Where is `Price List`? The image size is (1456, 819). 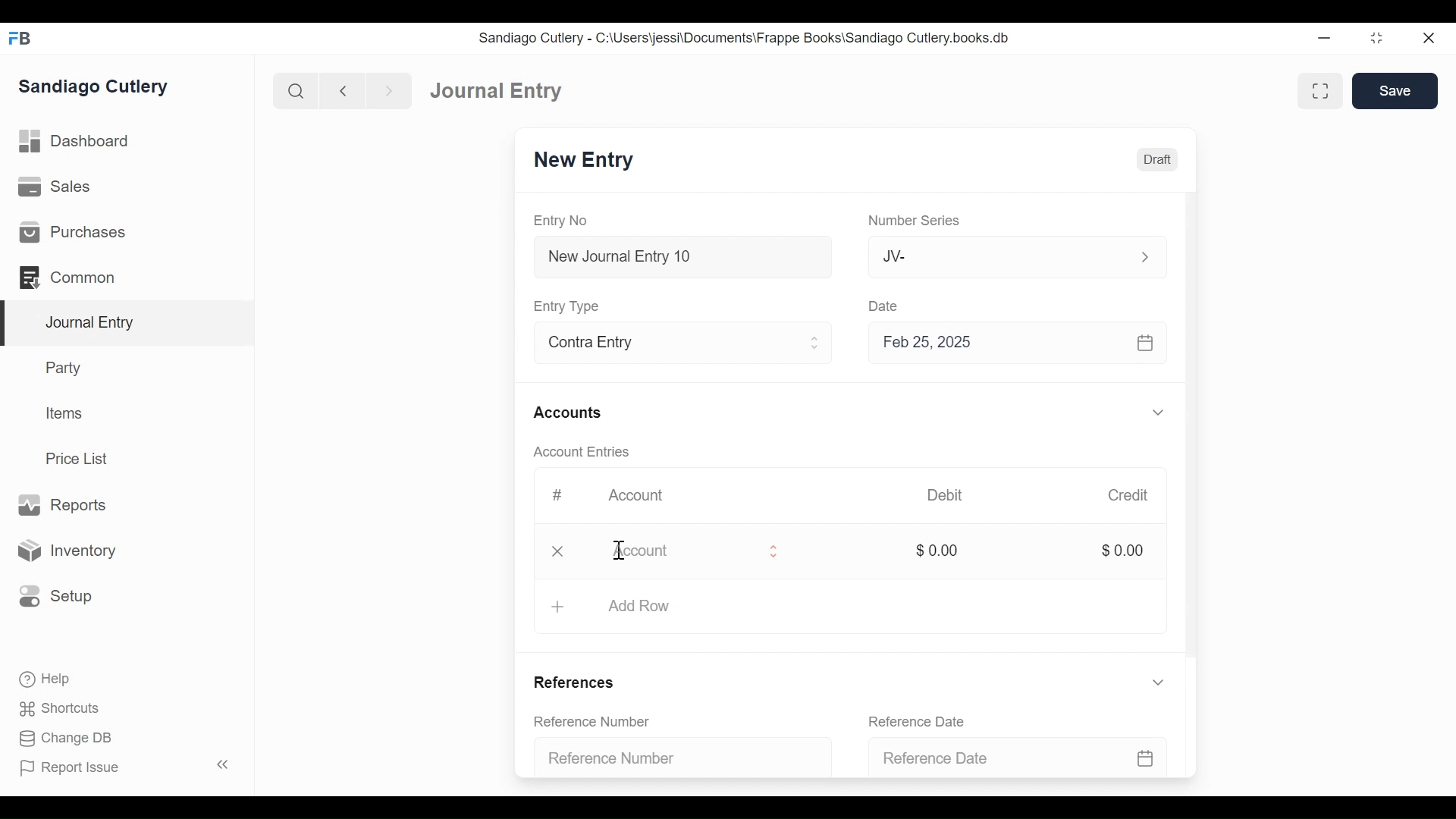
Price List is located at coordinates (80, 458).